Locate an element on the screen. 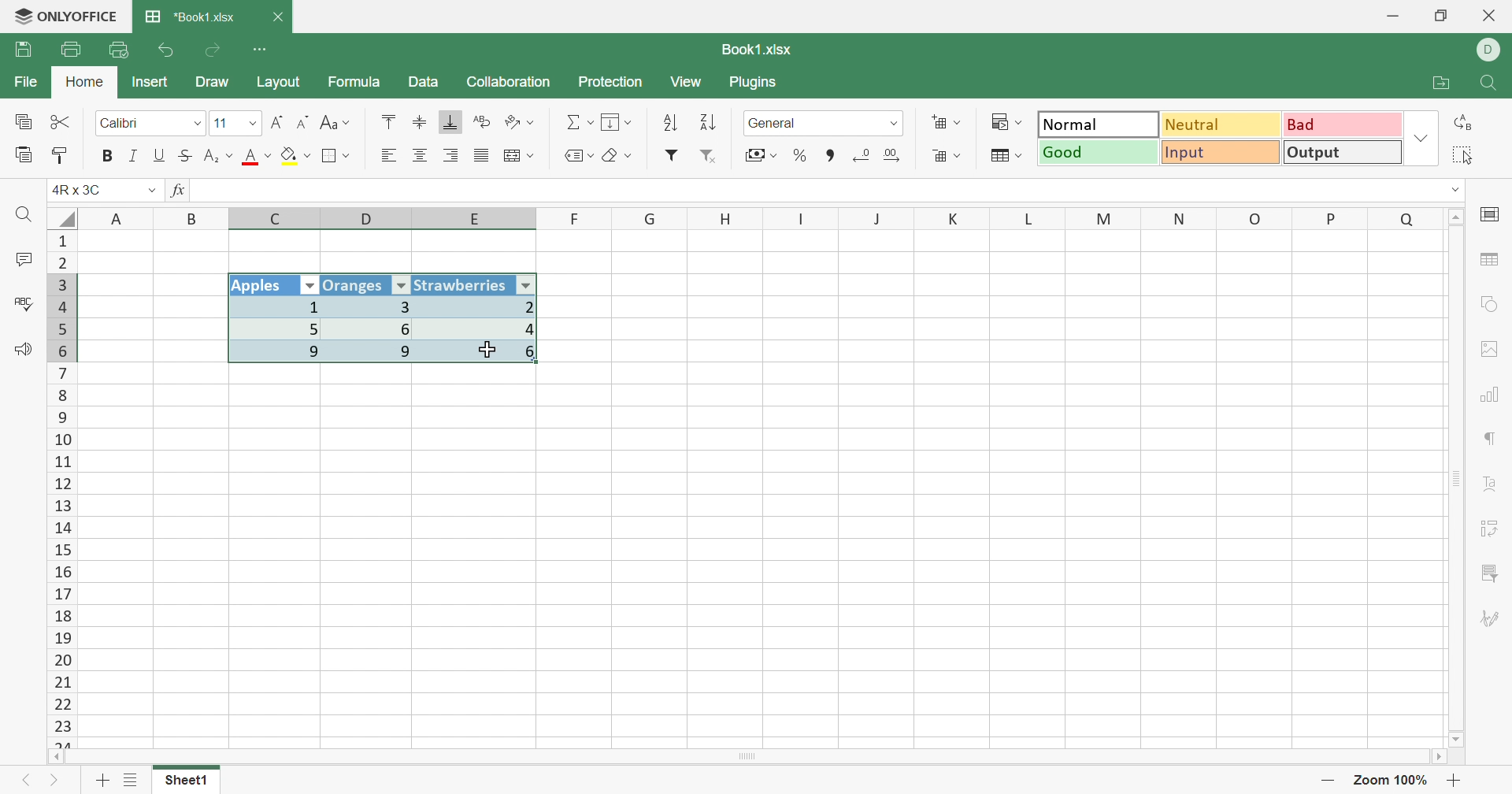 The image size is (1512, 794). Output is located at coordinates (1343, 154).